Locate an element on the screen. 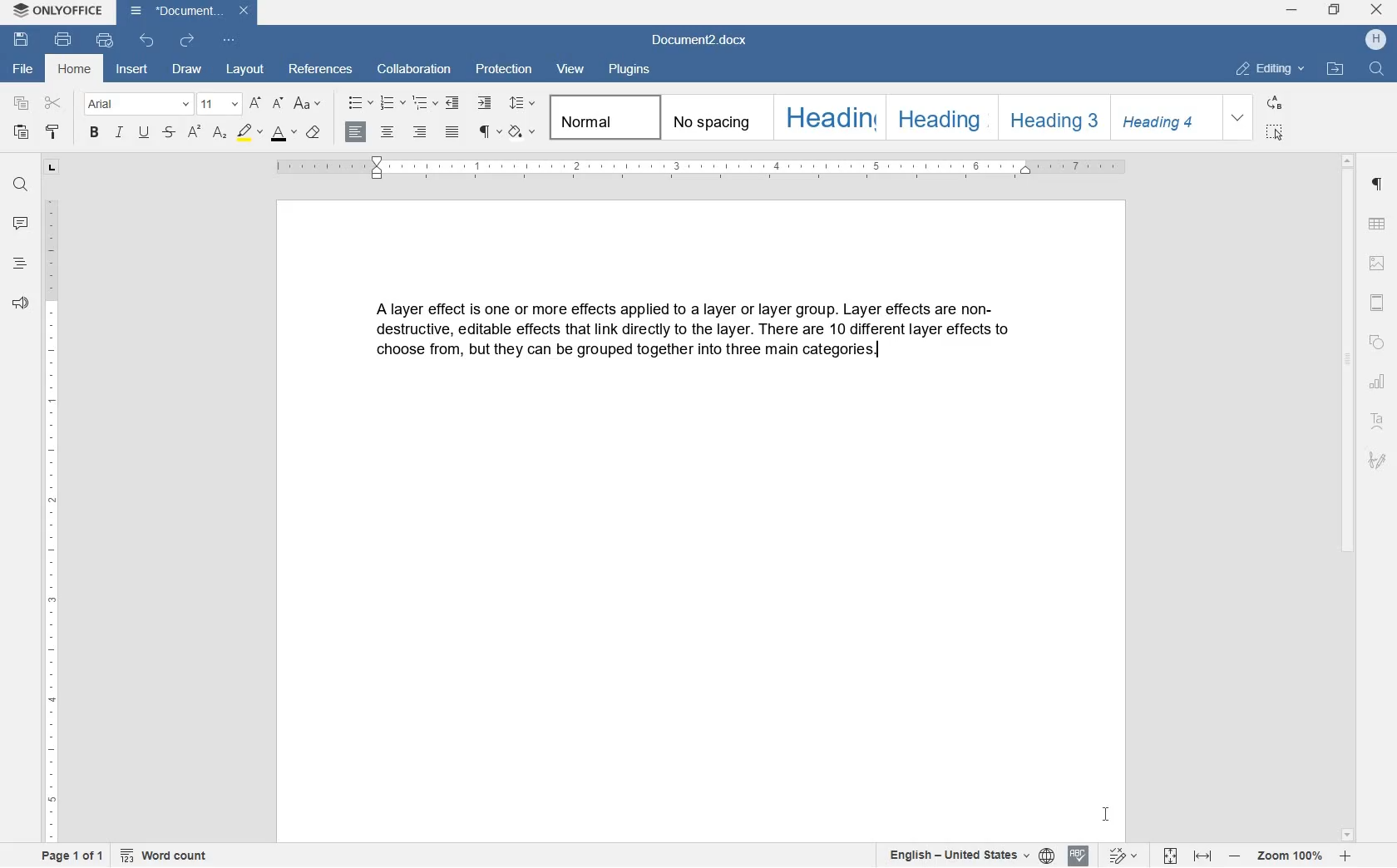 The width and height of the screenshot is (1397, 868). COMMENTS is located at coordinates (20, 223).